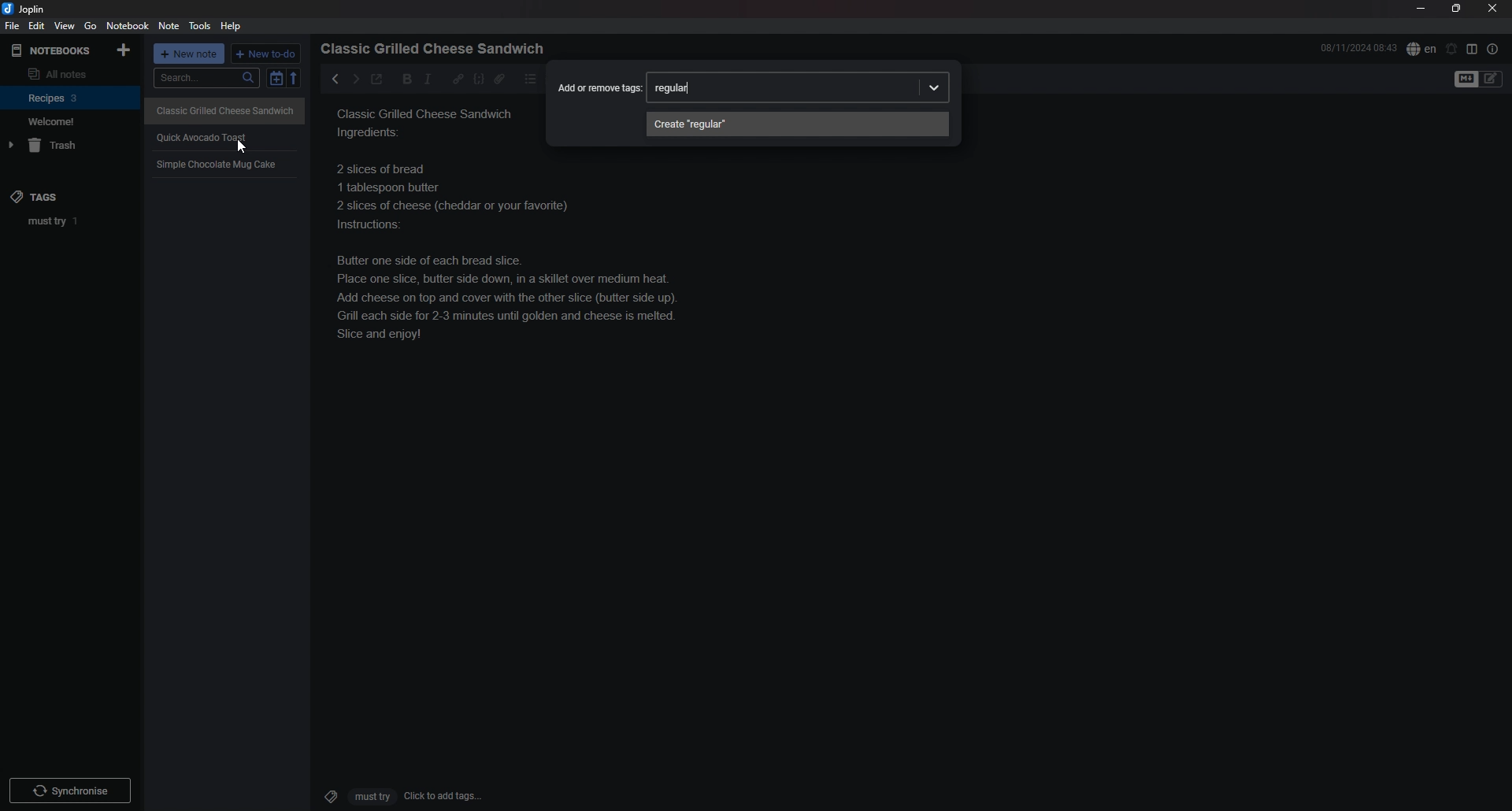  What do you see at coordinates (676, 89) in the screenshot?
I see `input` at bounding box center [676, 89].